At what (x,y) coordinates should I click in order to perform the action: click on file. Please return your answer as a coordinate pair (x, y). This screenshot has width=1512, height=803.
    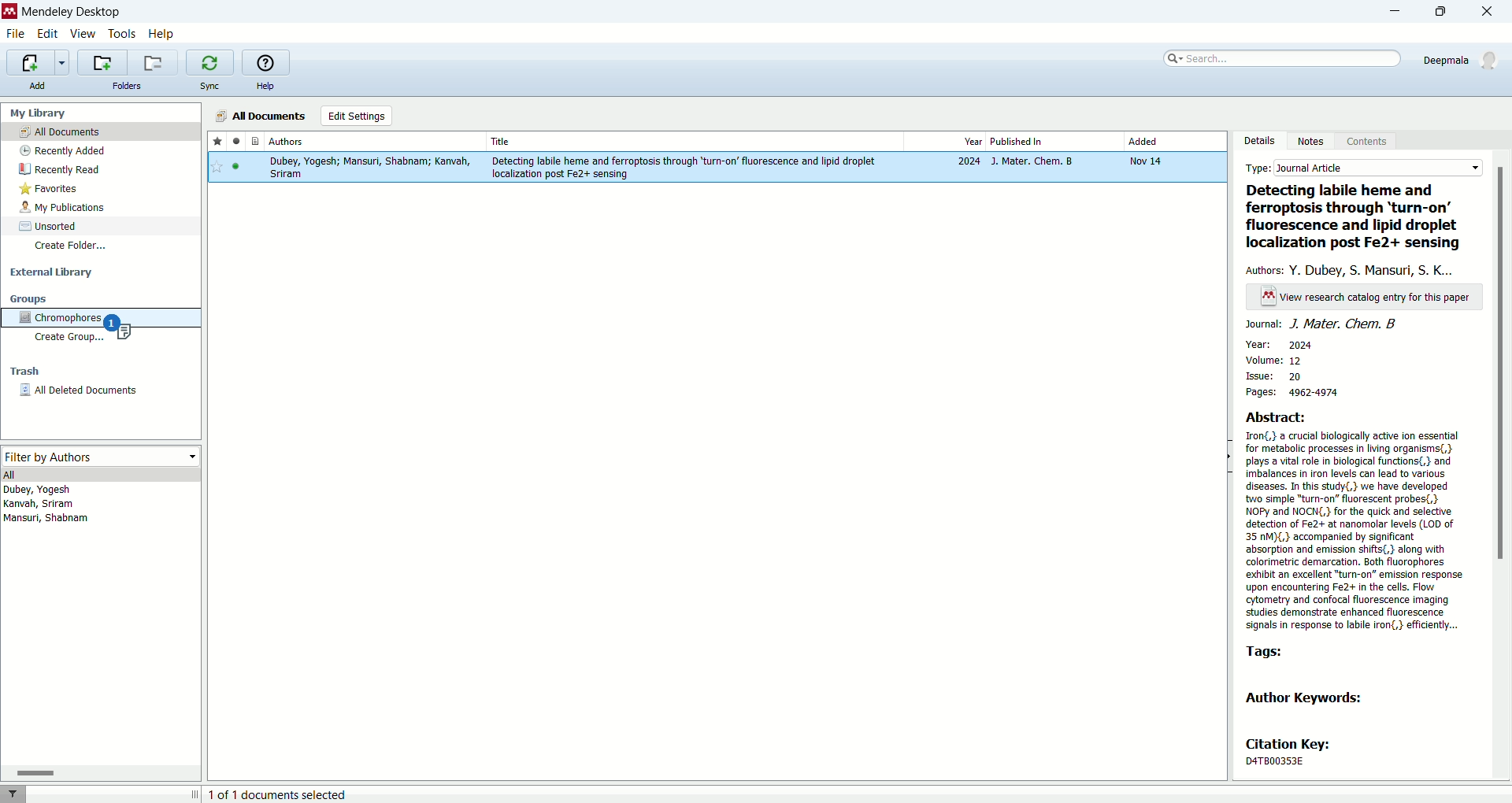
    Looking at the image, I should click on (15, 35).